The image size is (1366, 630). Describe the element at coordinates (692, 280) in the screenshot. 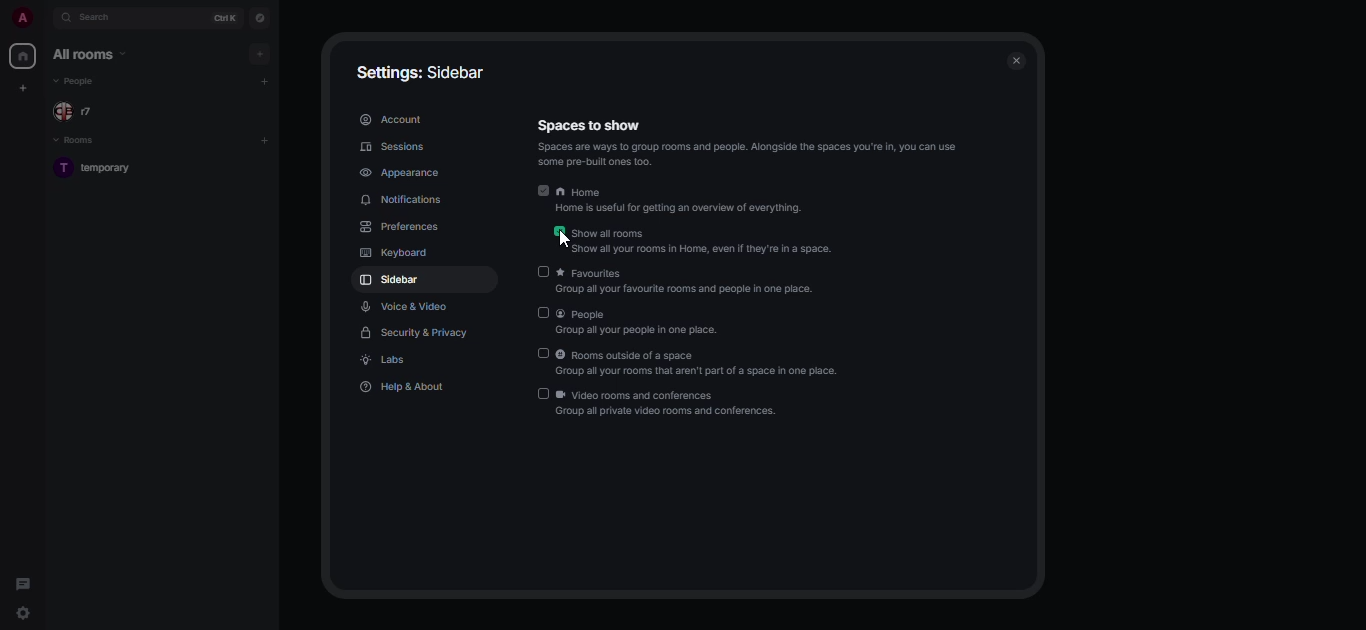

I see `favorites` at that location.